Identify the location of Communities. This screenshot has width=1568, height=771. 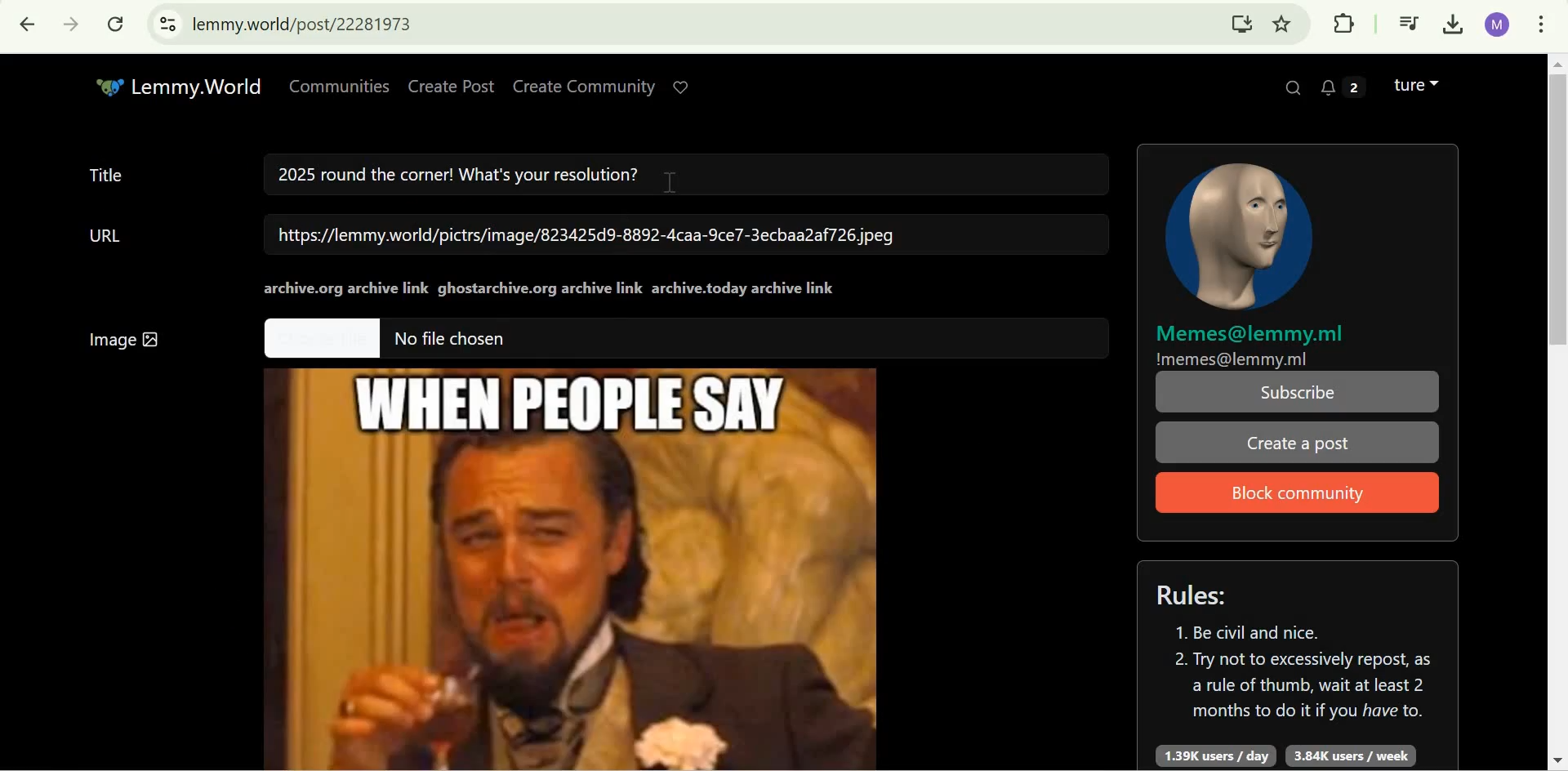
(339, 87).